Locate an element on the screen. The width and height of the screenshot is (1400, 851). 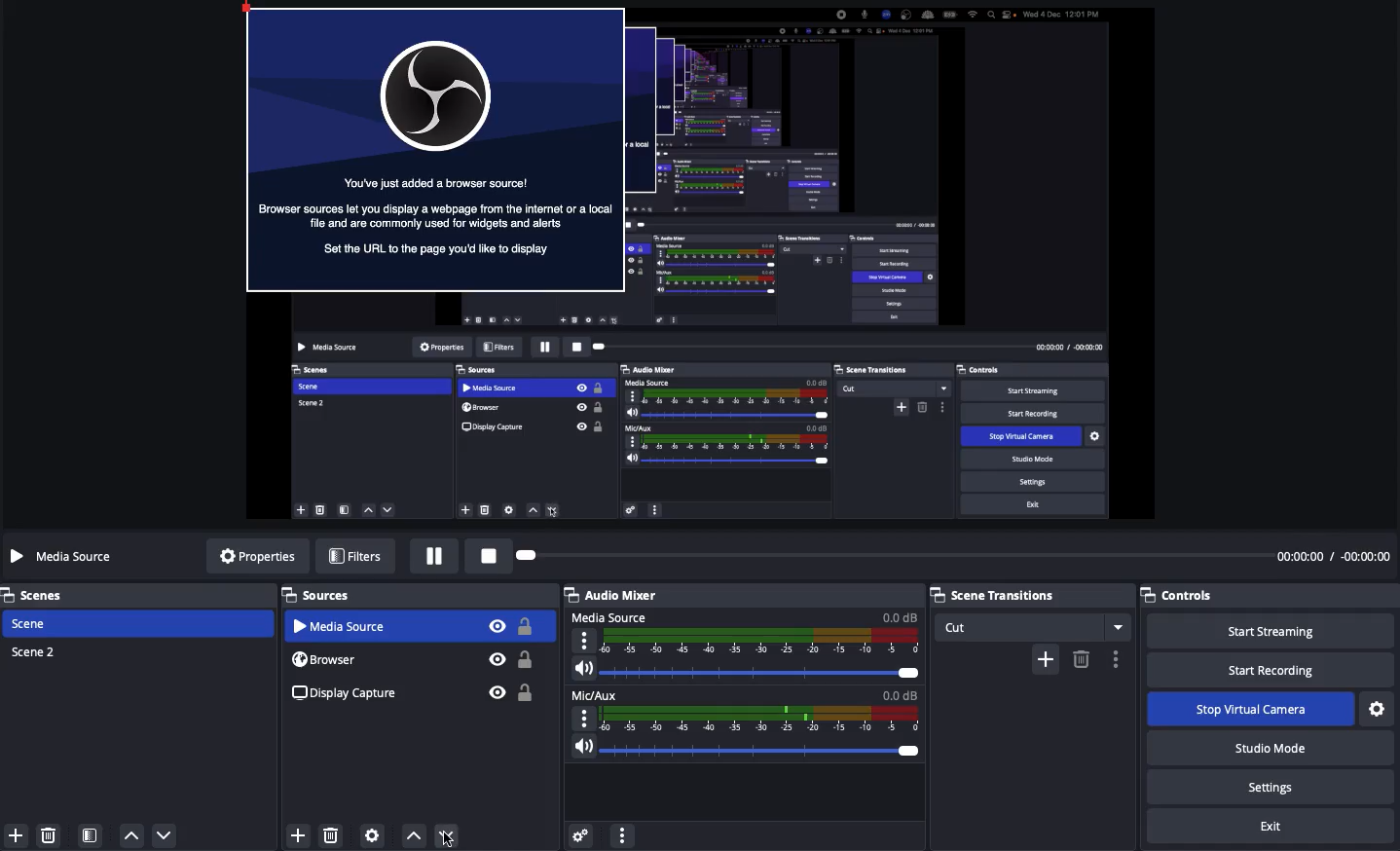
Browser is located at coordinates (323, 660).